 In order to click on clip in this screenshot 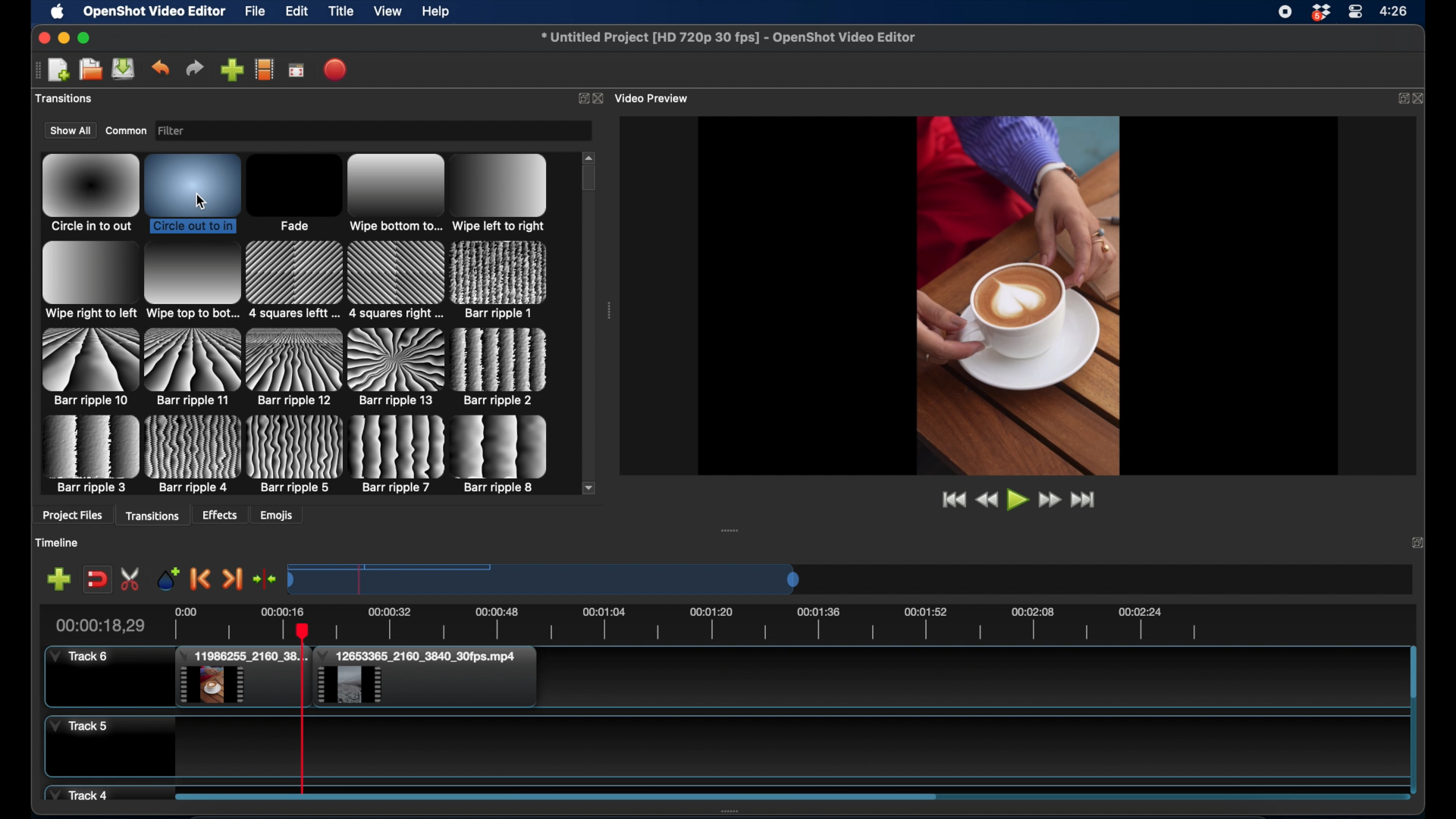, I will do `click(425, 677)`.